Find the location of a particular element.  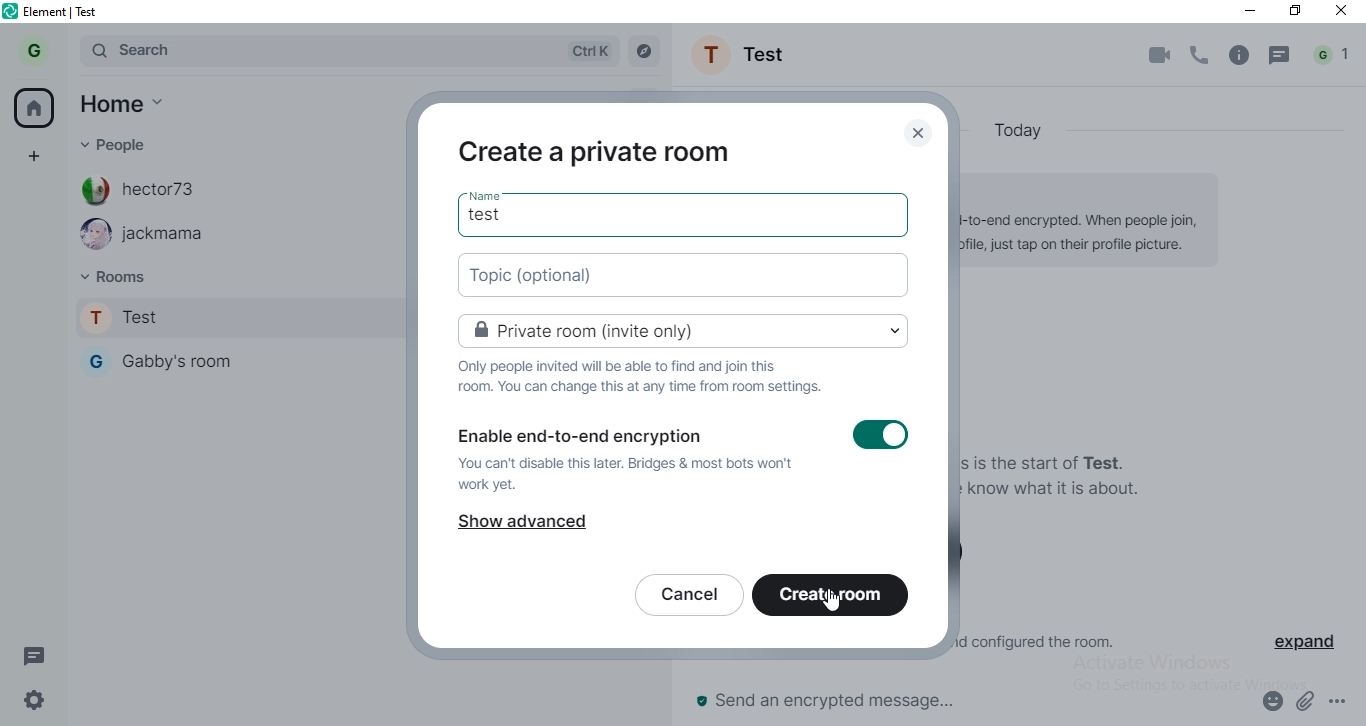

home is located at coordinates (121, 103).